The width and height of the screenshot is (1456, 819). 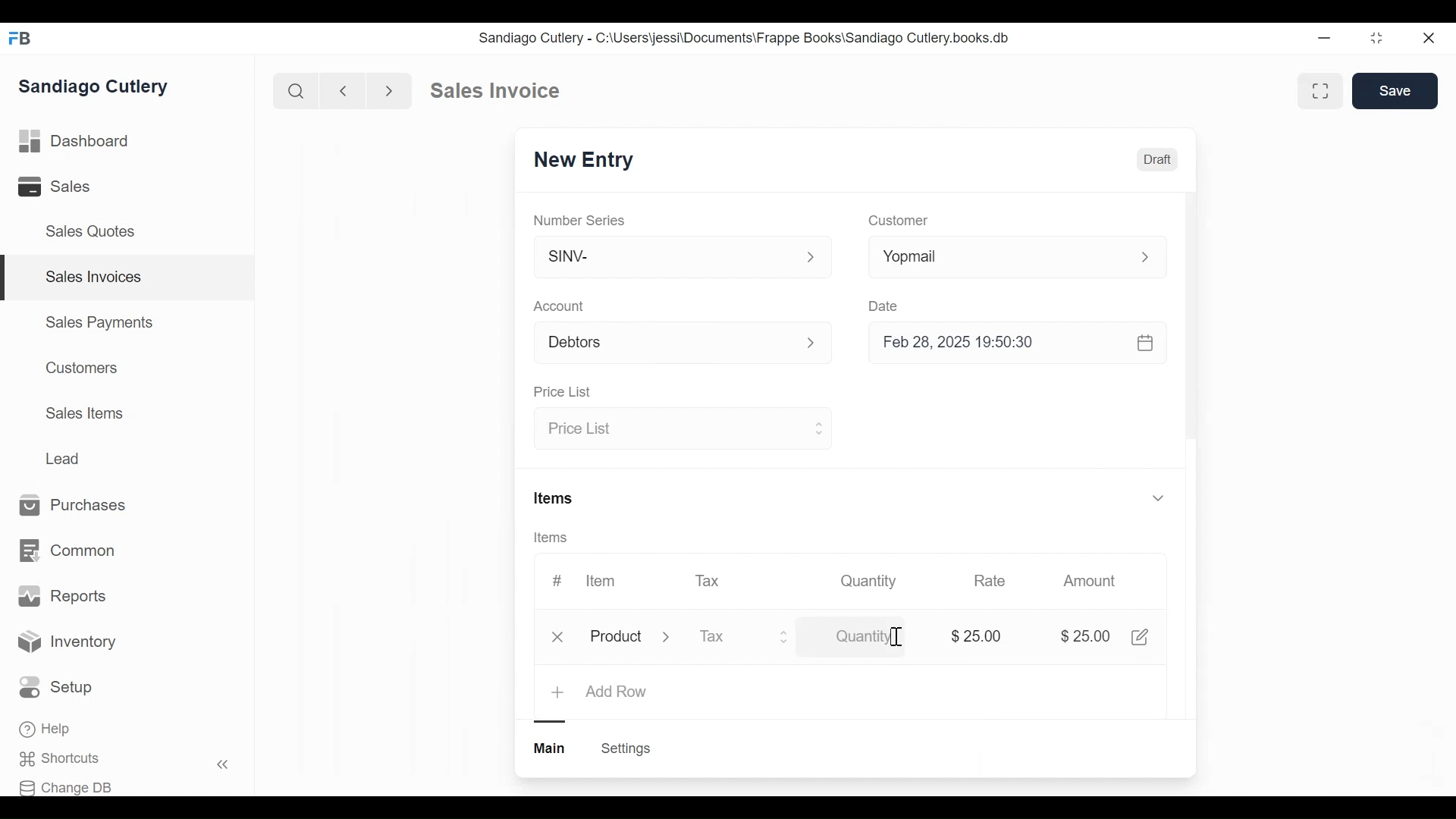 What do you see at coordinates (742, 37) in the screenshot?
I see `Sandiago Cutlery - C:\Users\jessi\Documents\Frappe Books\Sandiago Cutlery.books.db` at bounding box center [742, 37].